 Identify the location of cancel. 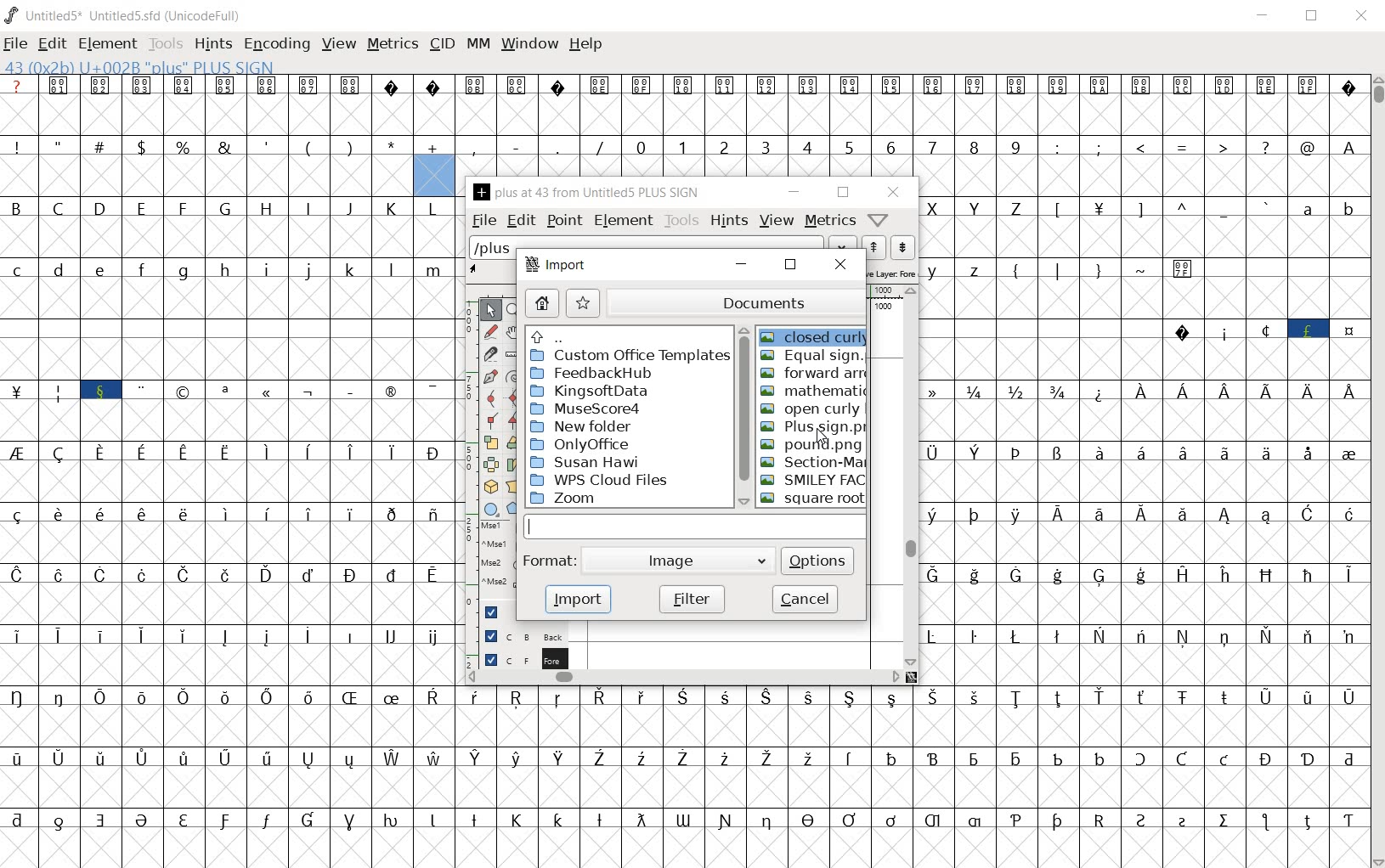
(802, 598).